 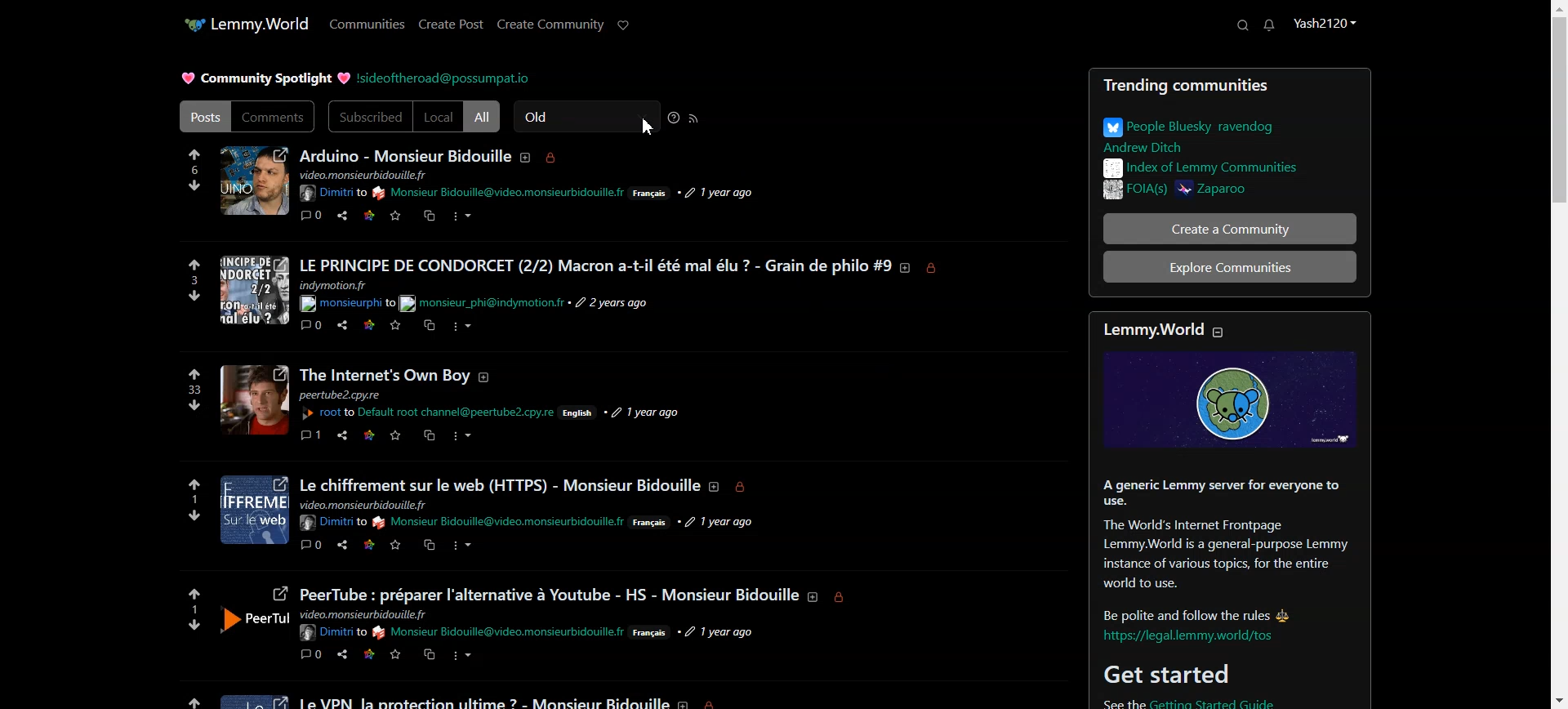 What do you see at coordinates (906, 267) in the screenshot?
I see `about` at bounding box center [906, 267].